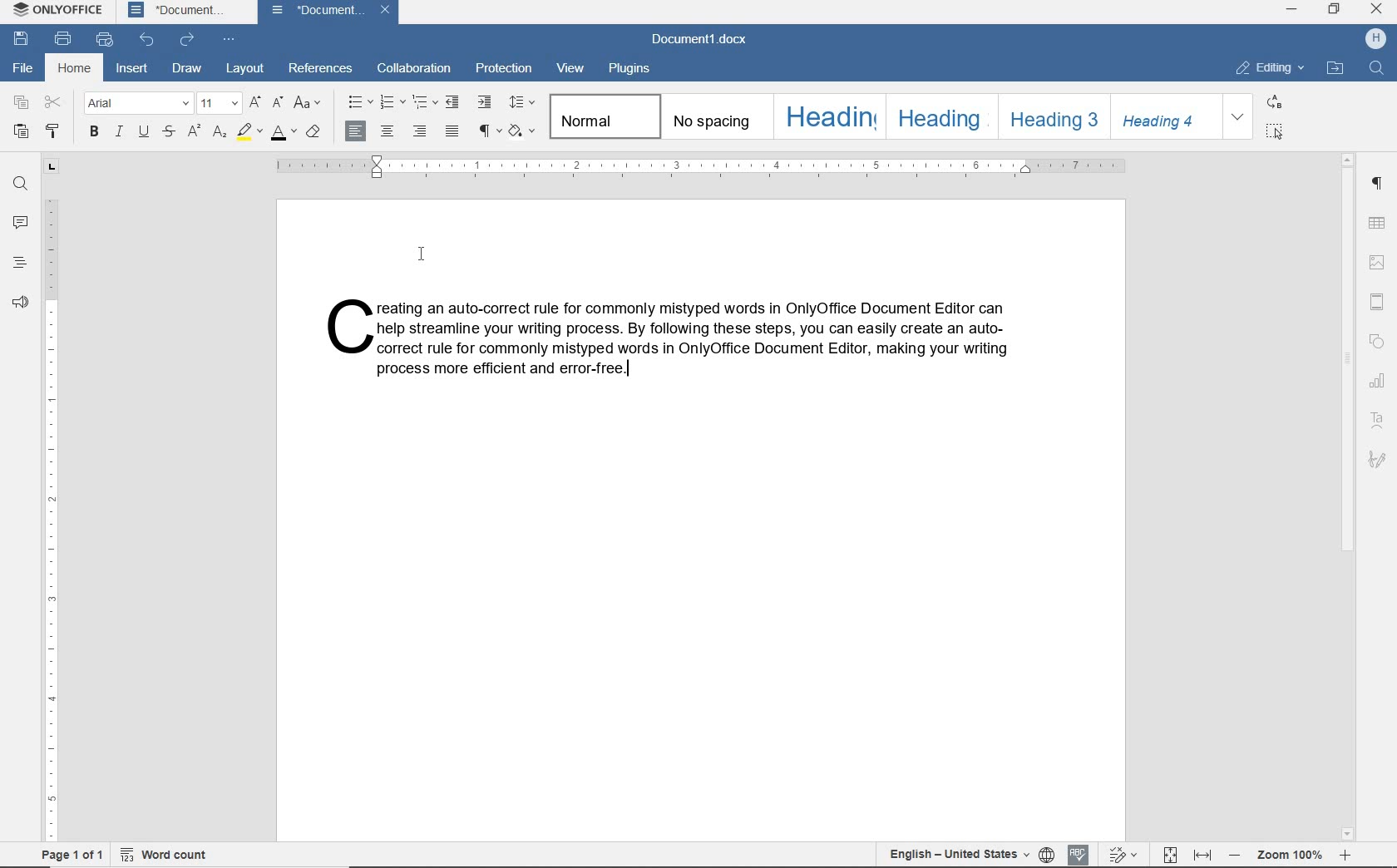 This screenshot has width=1397, height=868. Describe the element at coordinates (392, 103) in the screenshot. I see `NUMBERING` at that location.